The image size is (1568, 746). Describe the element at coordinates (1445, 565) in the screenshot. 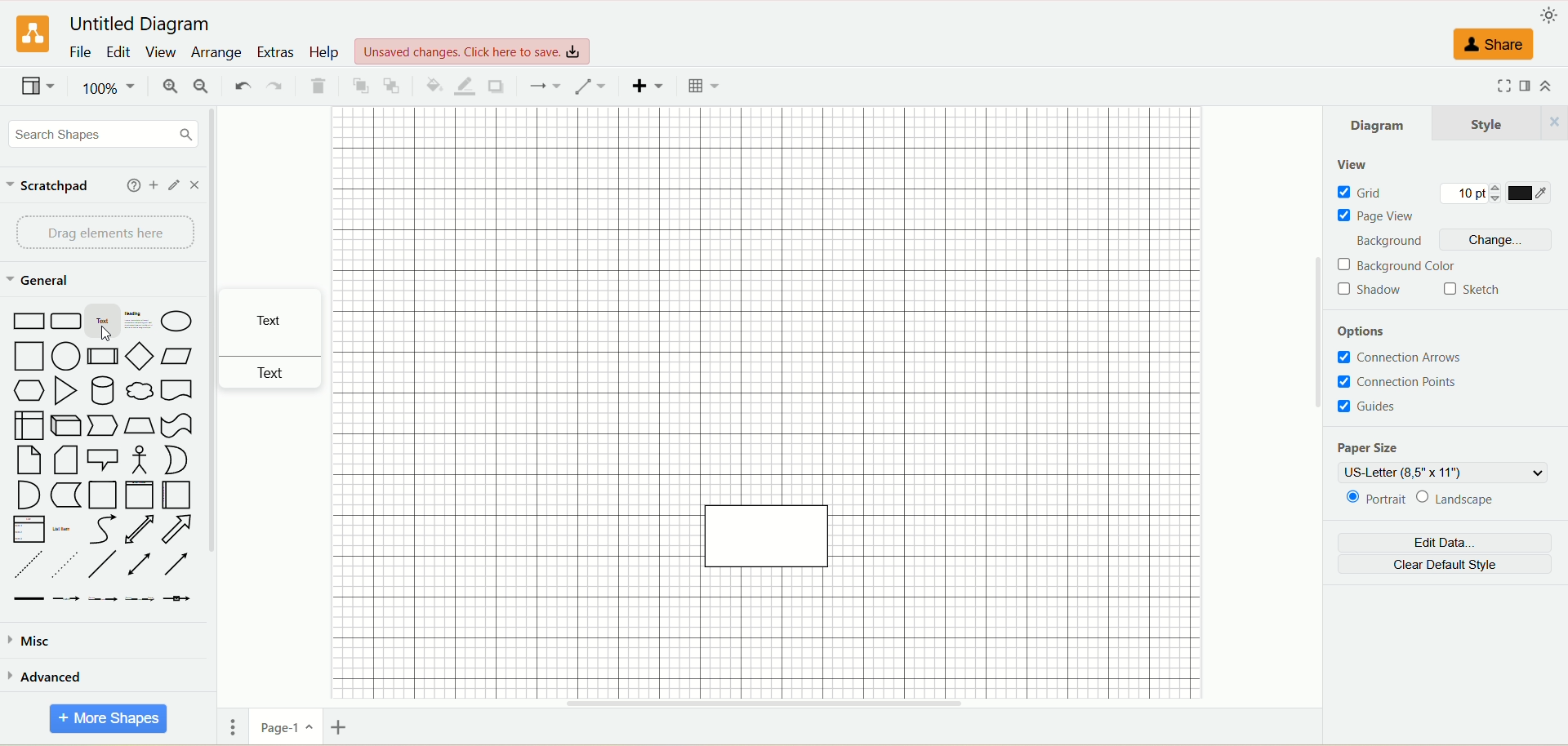

I see `clear default style` at that location.